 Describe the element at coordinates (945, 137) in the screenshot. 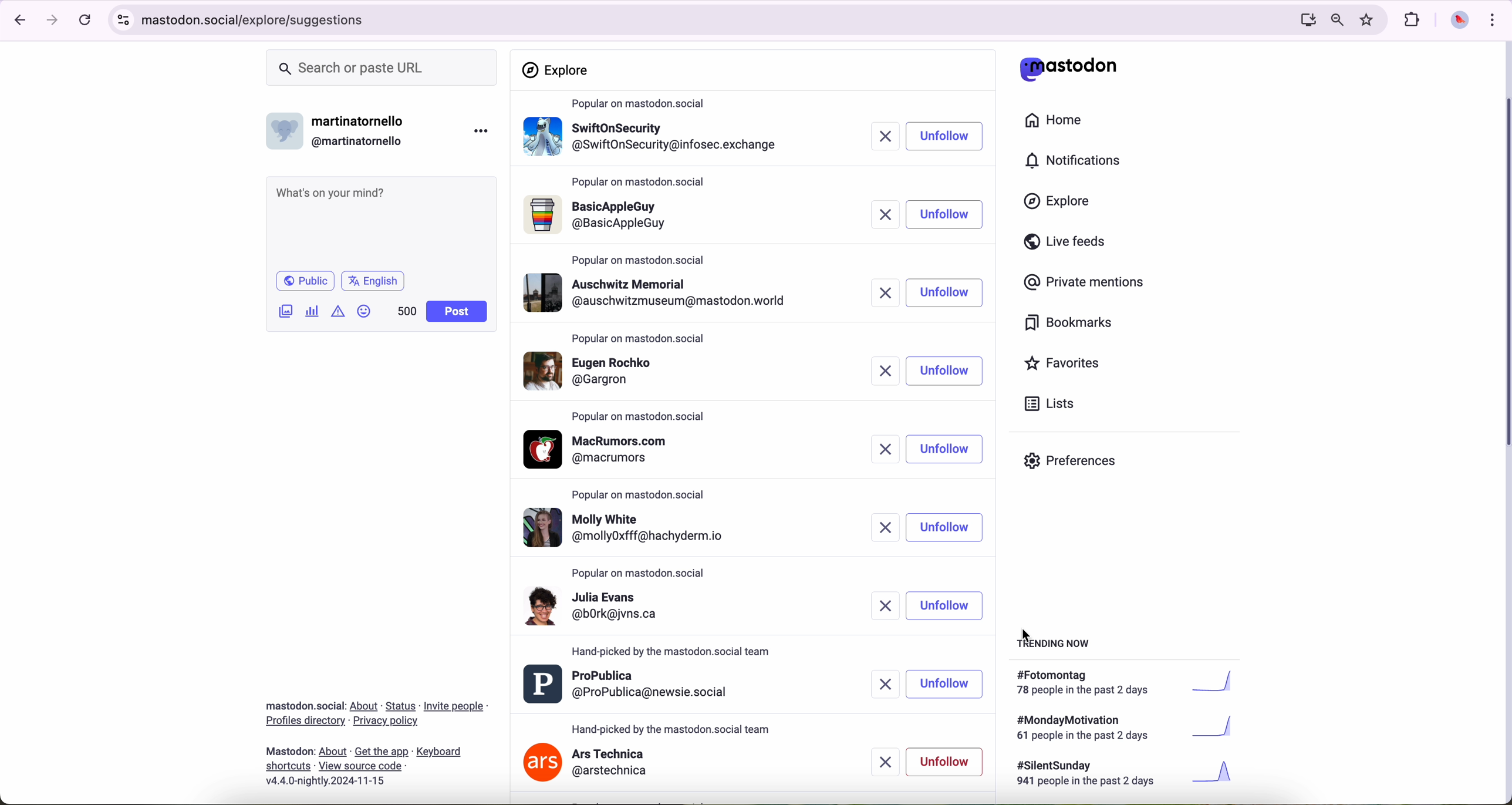

I see `click on follow button` at that location.